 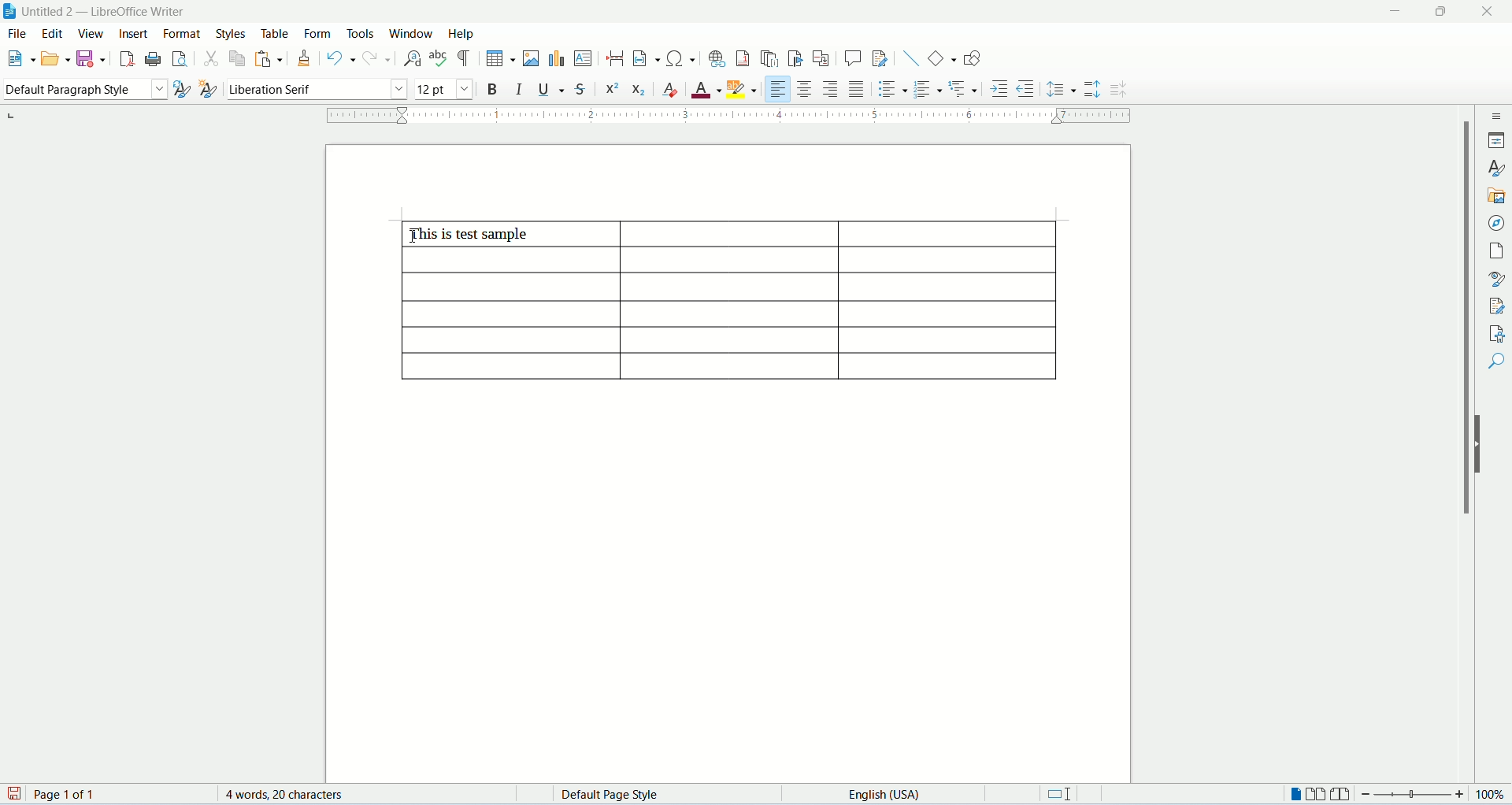 I want to click on edit, so click(x=54, y=33).